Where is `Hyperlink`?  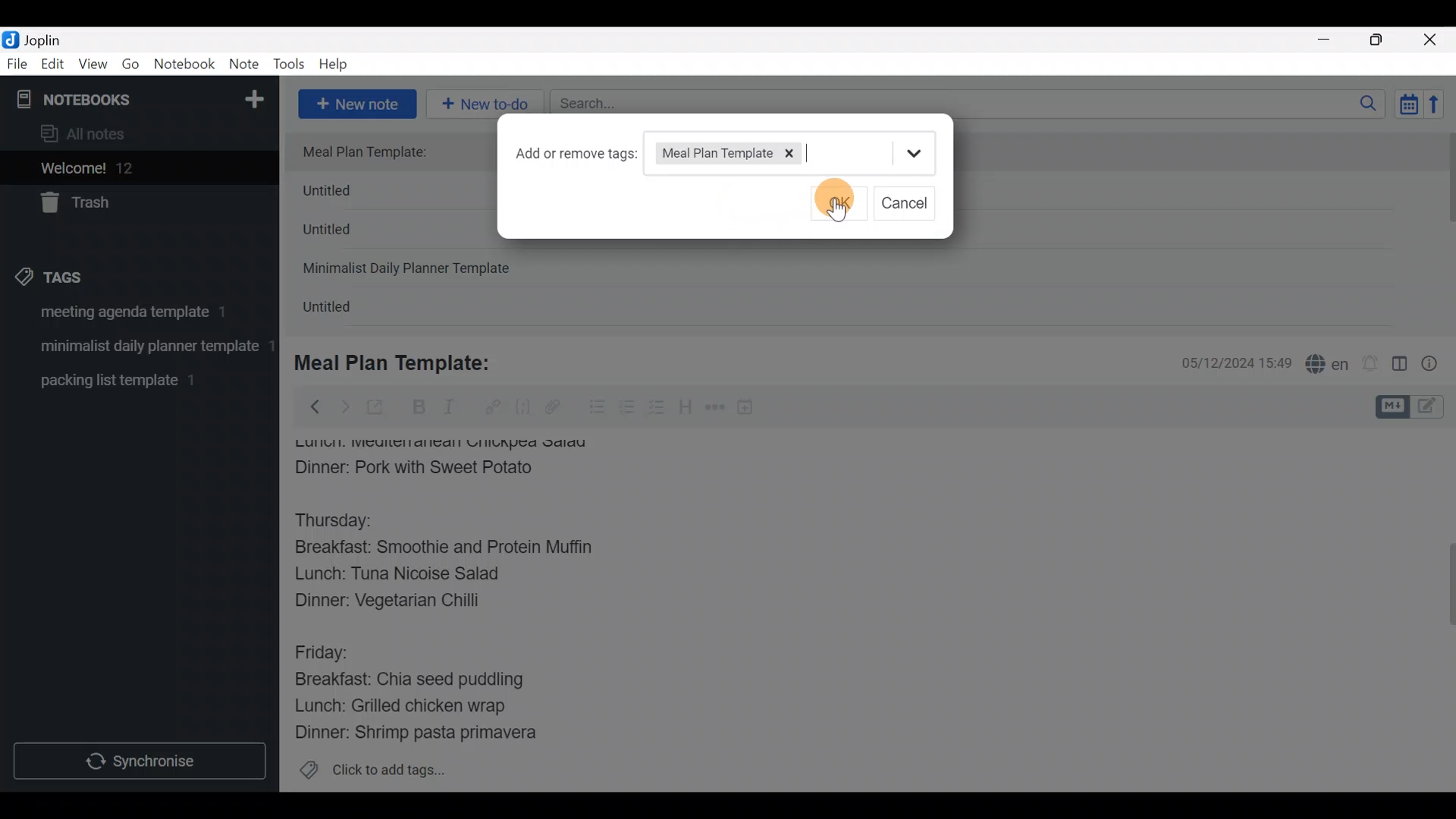
Hyperlink is located at coordinates (493, 407).